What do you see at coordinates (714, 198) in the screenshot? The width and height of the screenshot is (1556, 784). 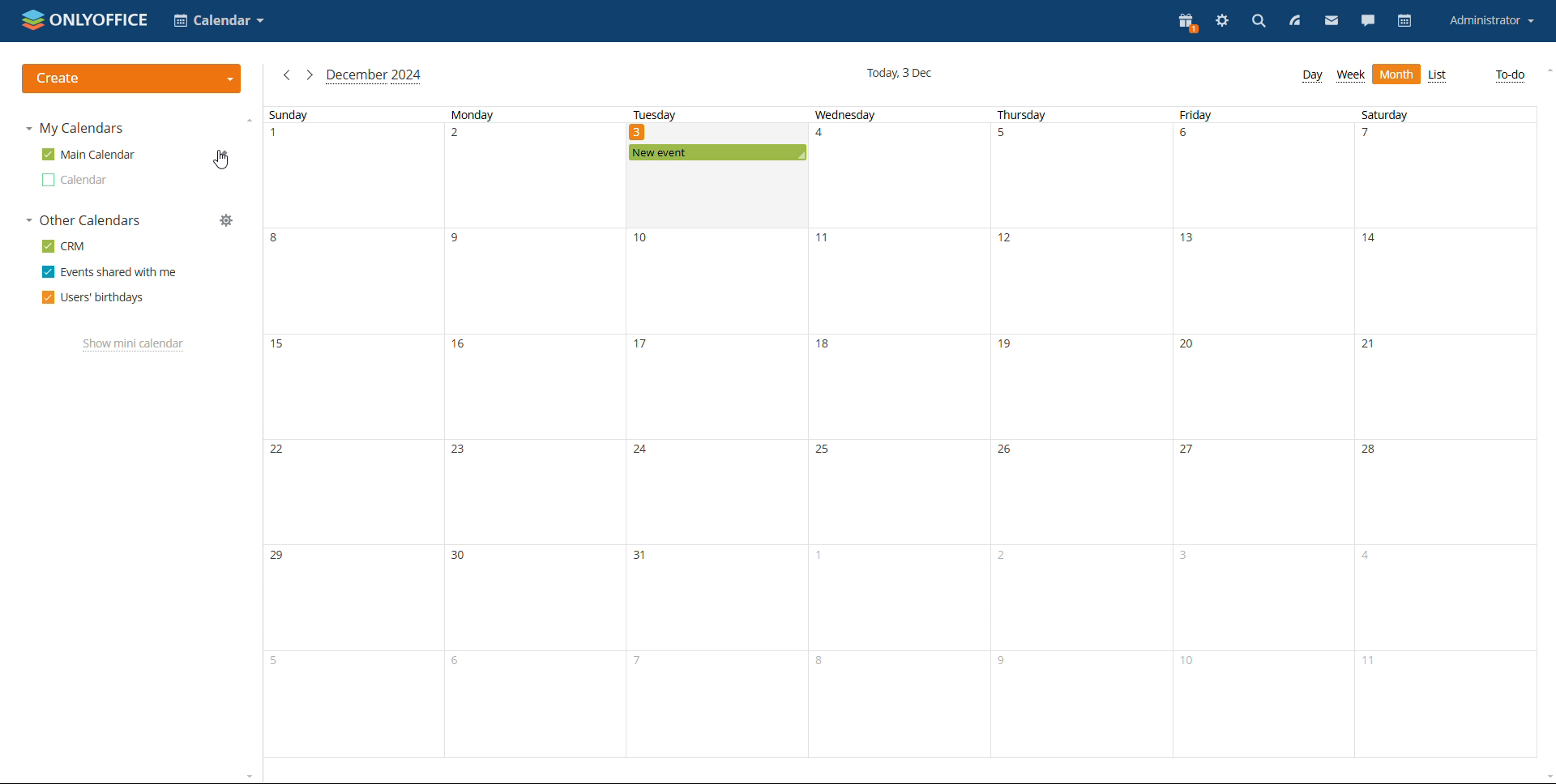 I see `date` at bounding box center [714, 198].